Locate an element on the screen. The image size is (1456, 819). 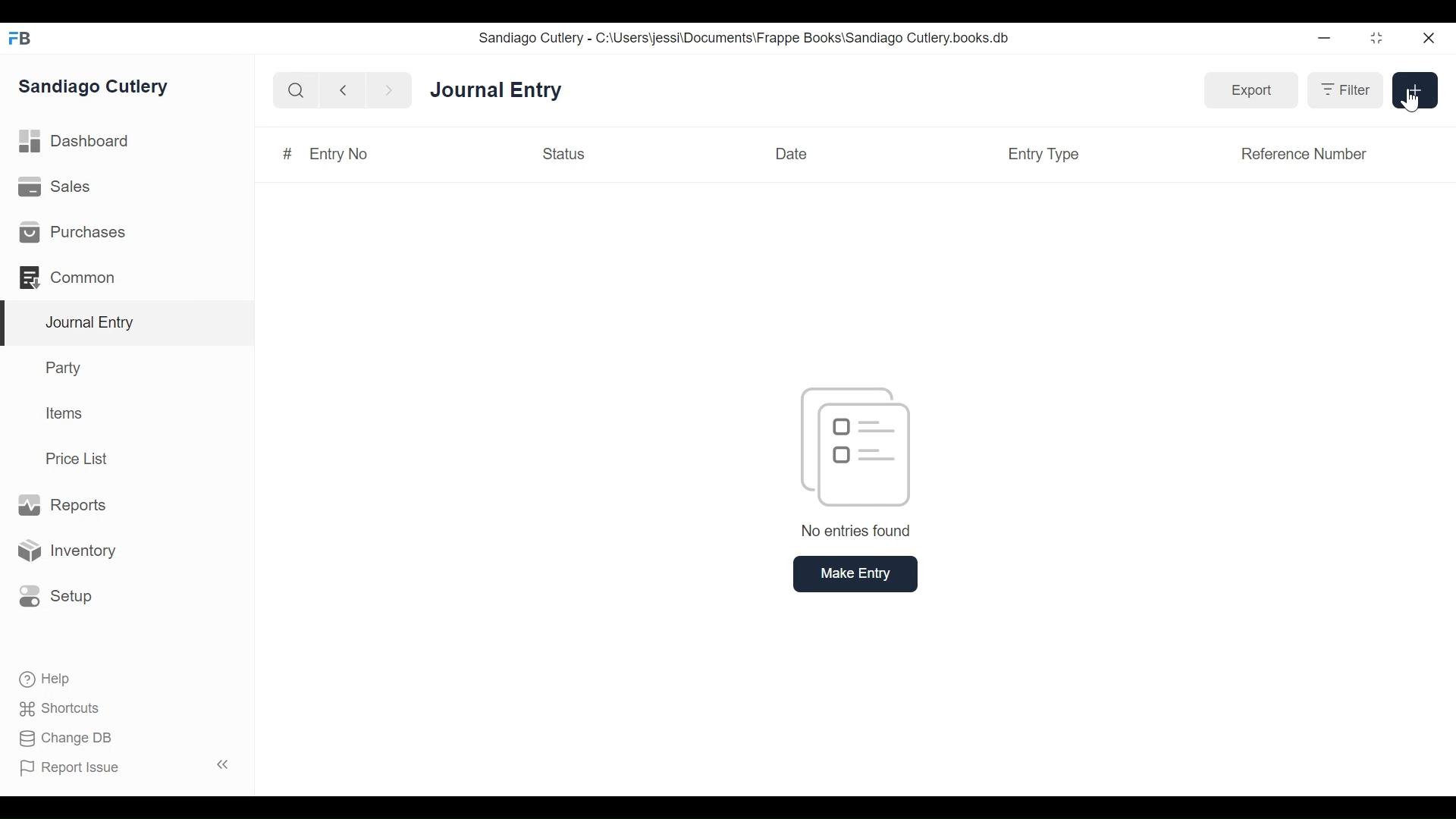
Change DB is located at coordinates (68, 740).